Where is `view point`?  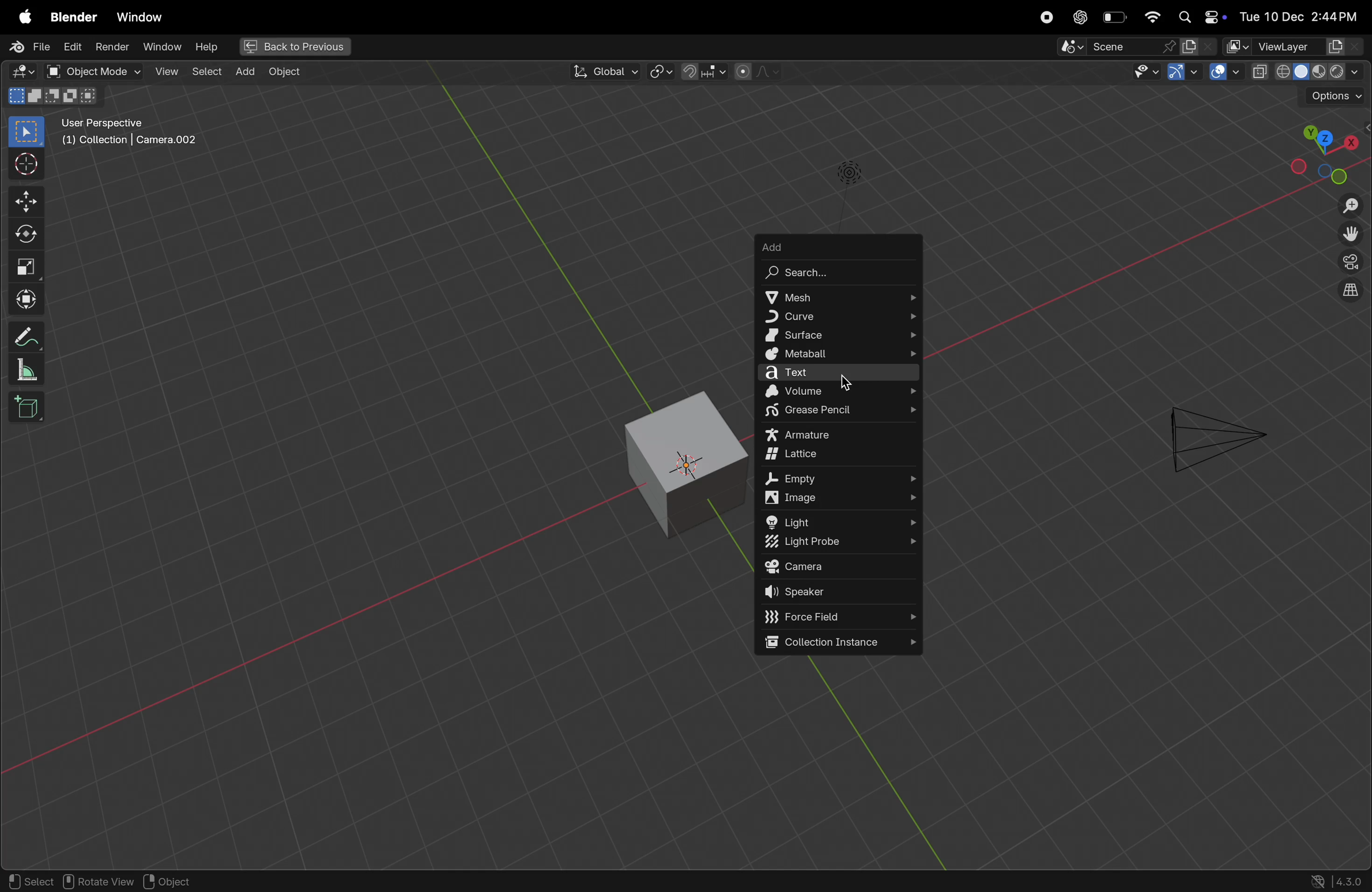
view point is located at coordinates (1328, 151).